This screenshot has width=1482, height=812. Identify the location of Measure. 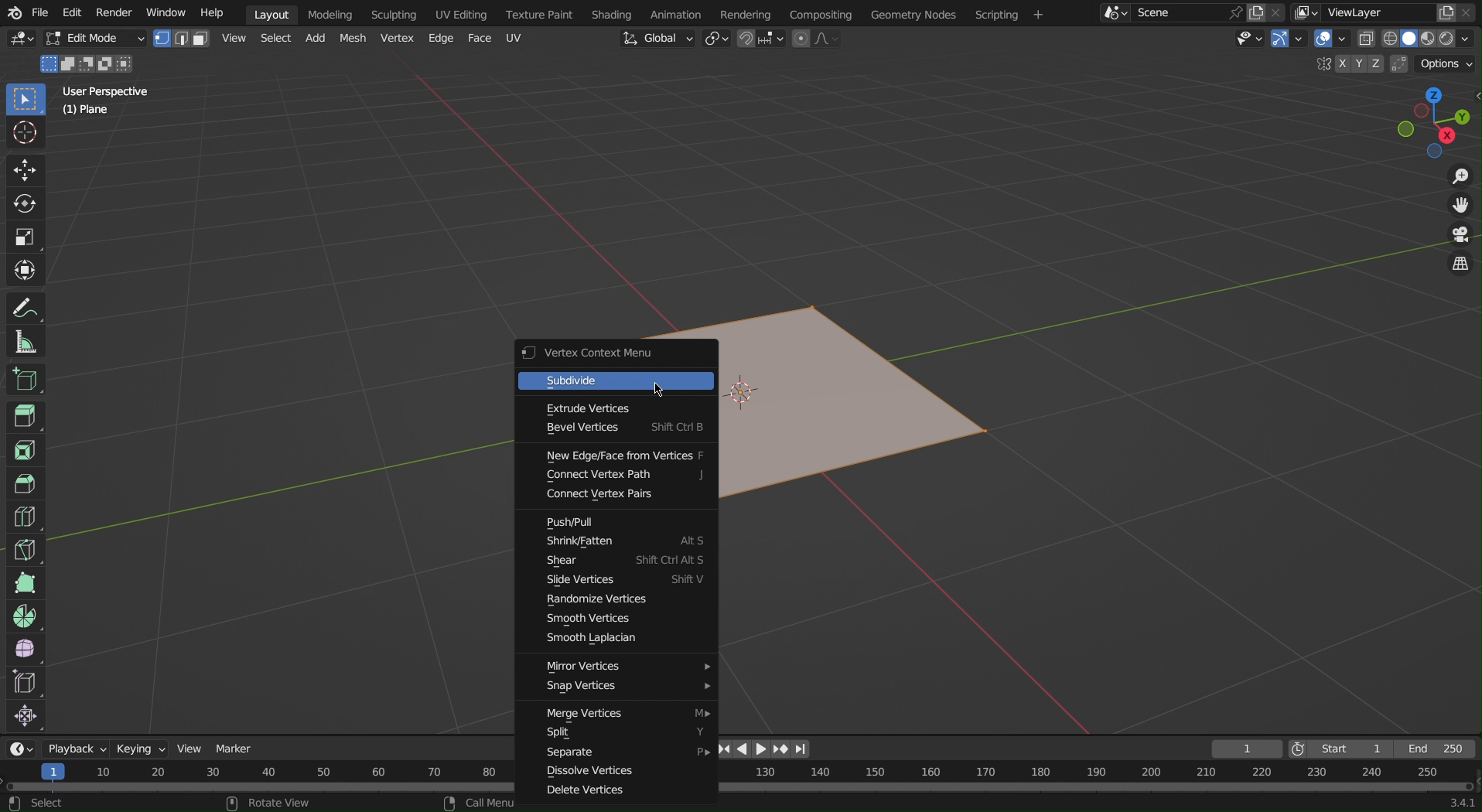
(26, 340).